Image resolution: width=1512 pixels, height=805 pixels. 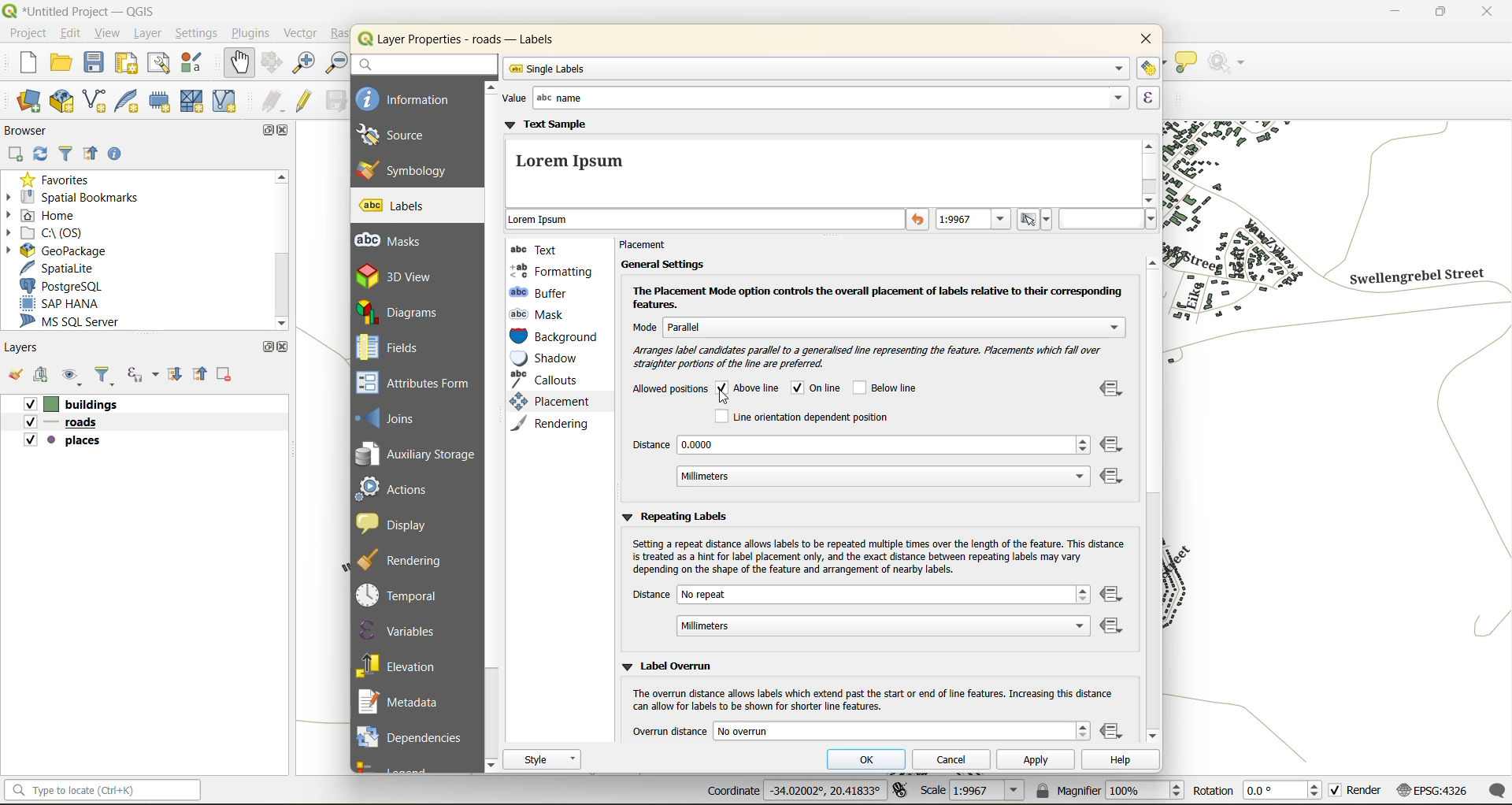 I want to click on remove, so click(x=223, y=377).